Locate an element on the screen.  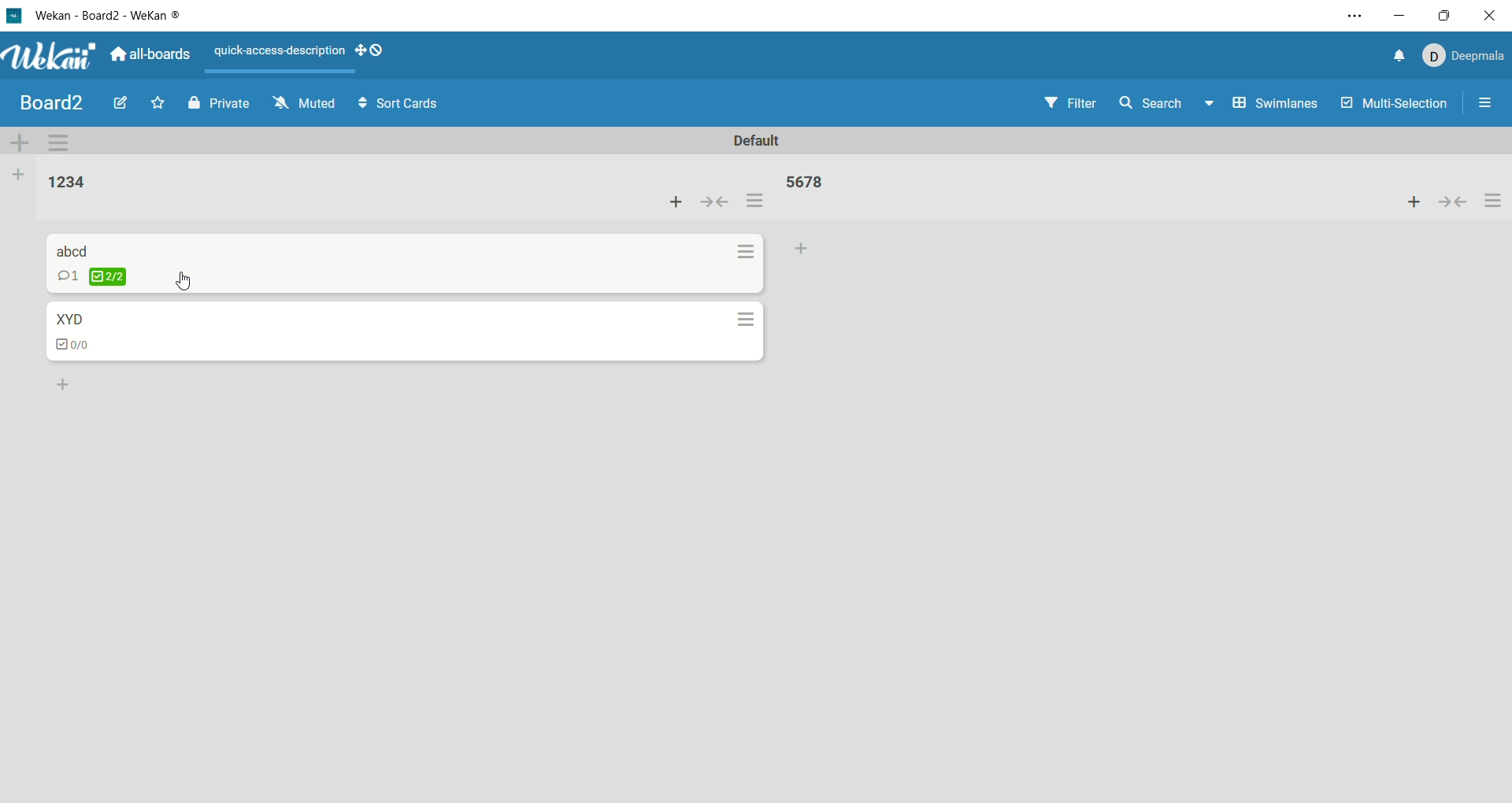
swimlane actions is located at coordinates (62, 144).